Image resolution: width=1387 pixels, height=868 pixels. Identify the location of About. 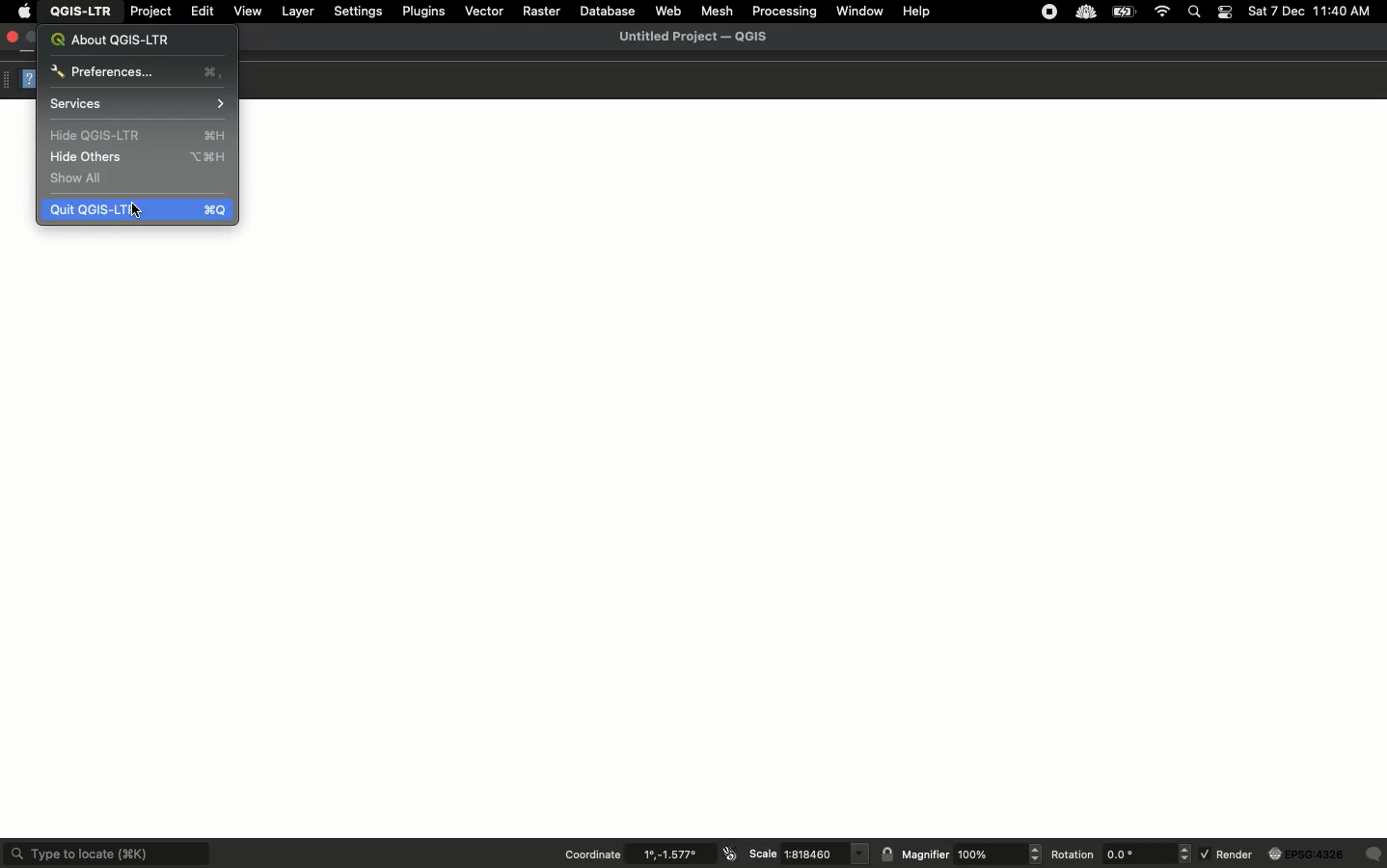
(117, 40).